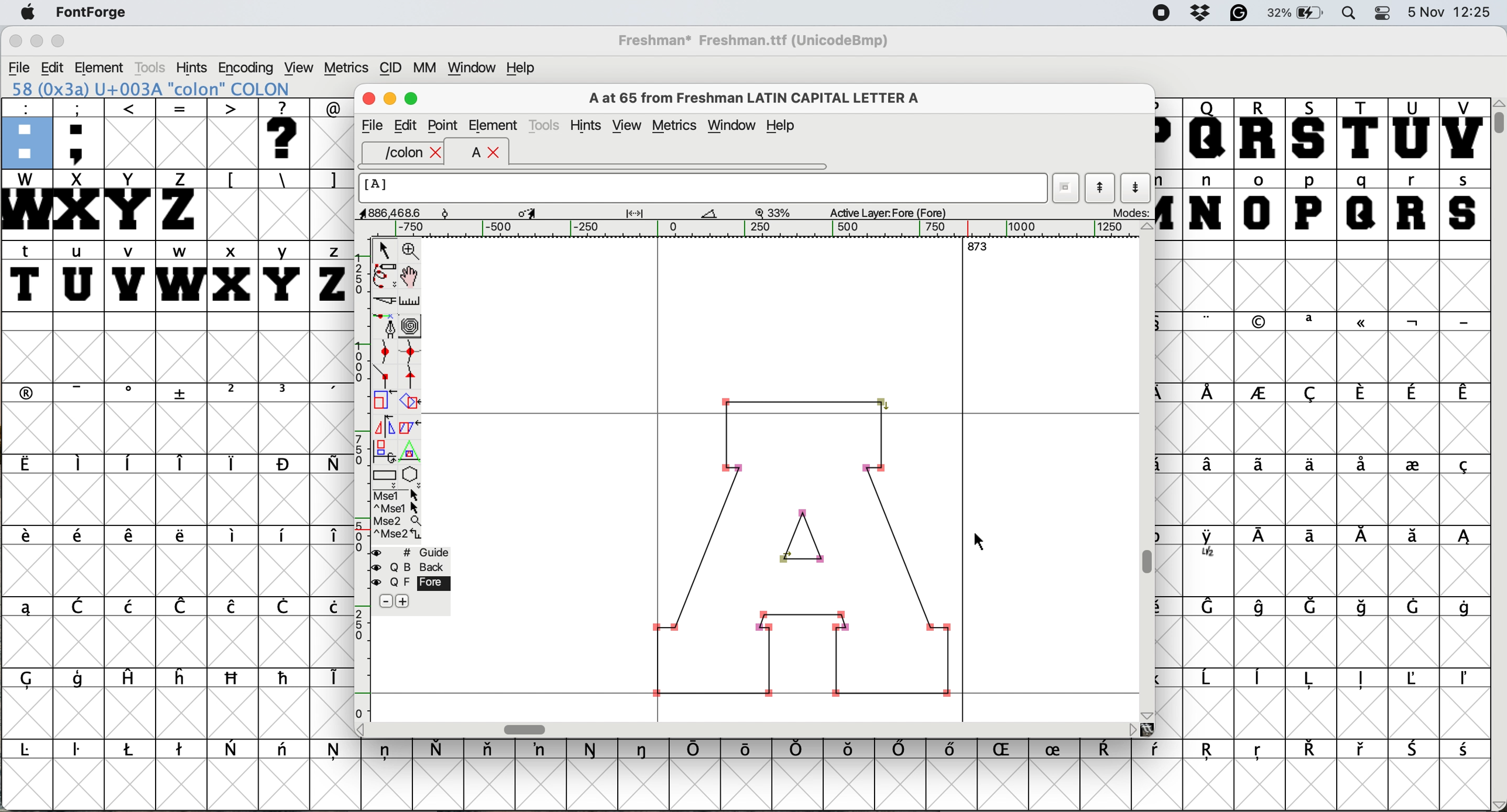 Image resolution: width=1507 pixels, height=812 pixels. I want to click on symbol, so click(330, 465).